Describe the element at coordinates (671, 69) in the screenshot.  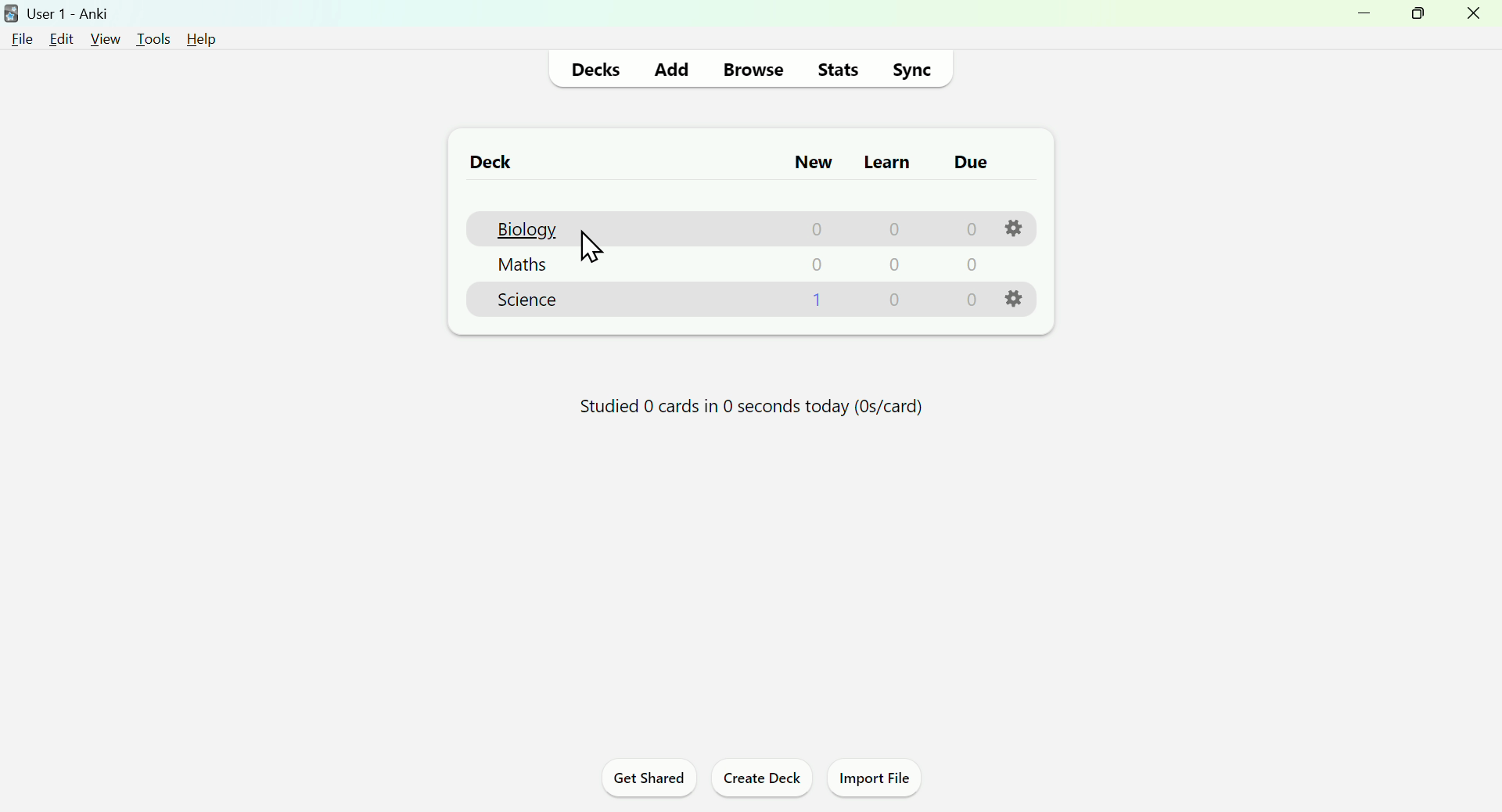
I see `Add` at that location.